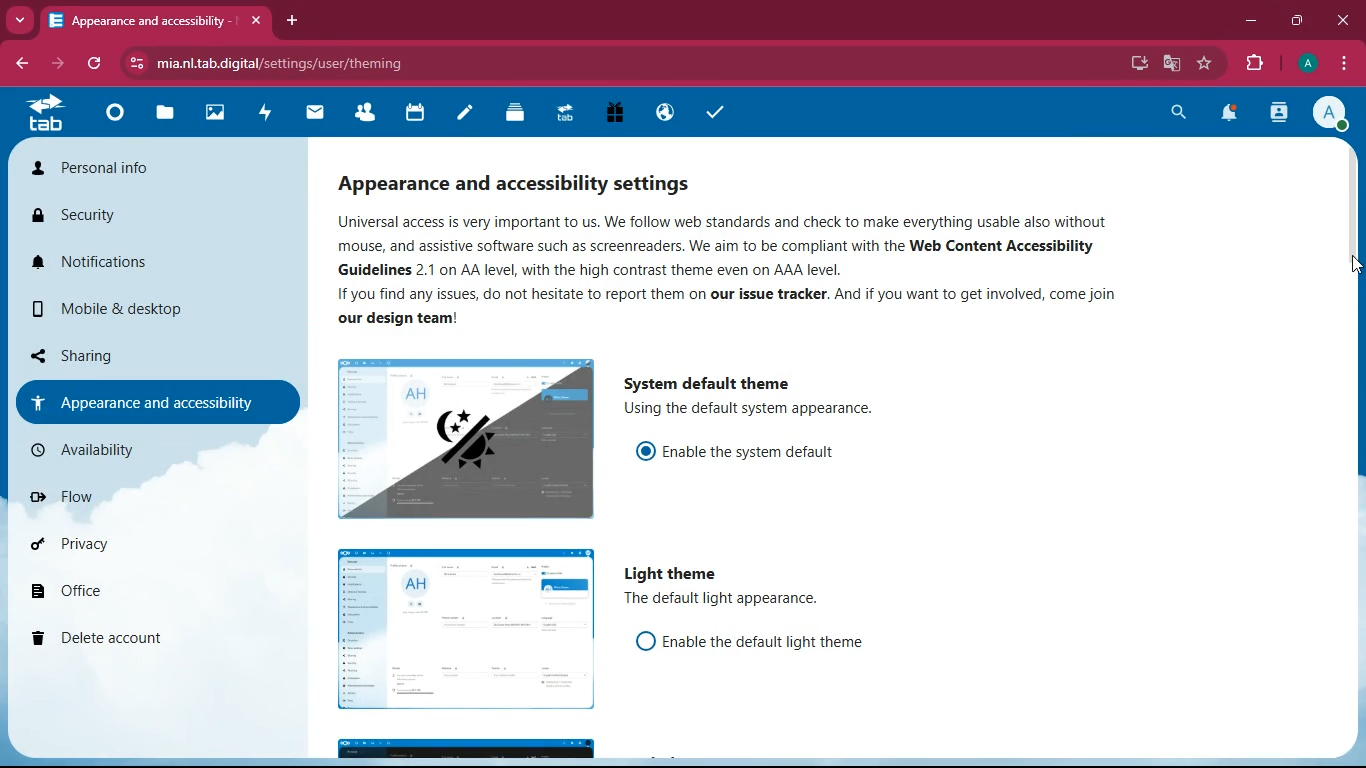  What do you see at coordinates (468, 745) in the screenshot?
I see `theme` at bounding box center [468, 745].